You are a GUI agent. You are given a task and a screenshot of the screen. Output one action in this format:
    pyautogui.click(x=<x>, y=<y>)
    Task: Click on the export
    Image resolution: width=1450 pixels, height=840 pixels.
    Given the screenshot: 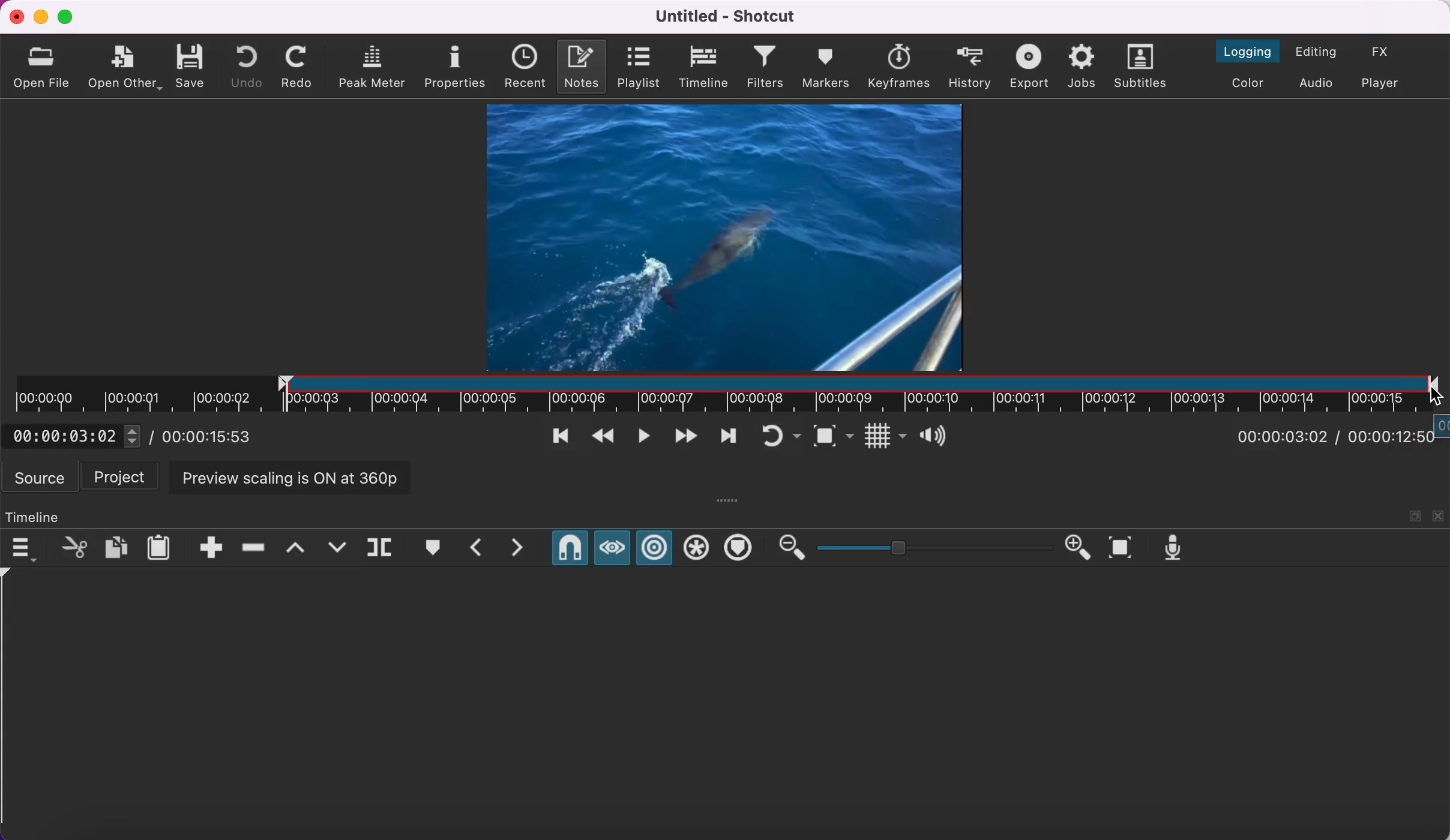 What is the action you would take?
    pyautogui.click(x=1027, y=67)
    